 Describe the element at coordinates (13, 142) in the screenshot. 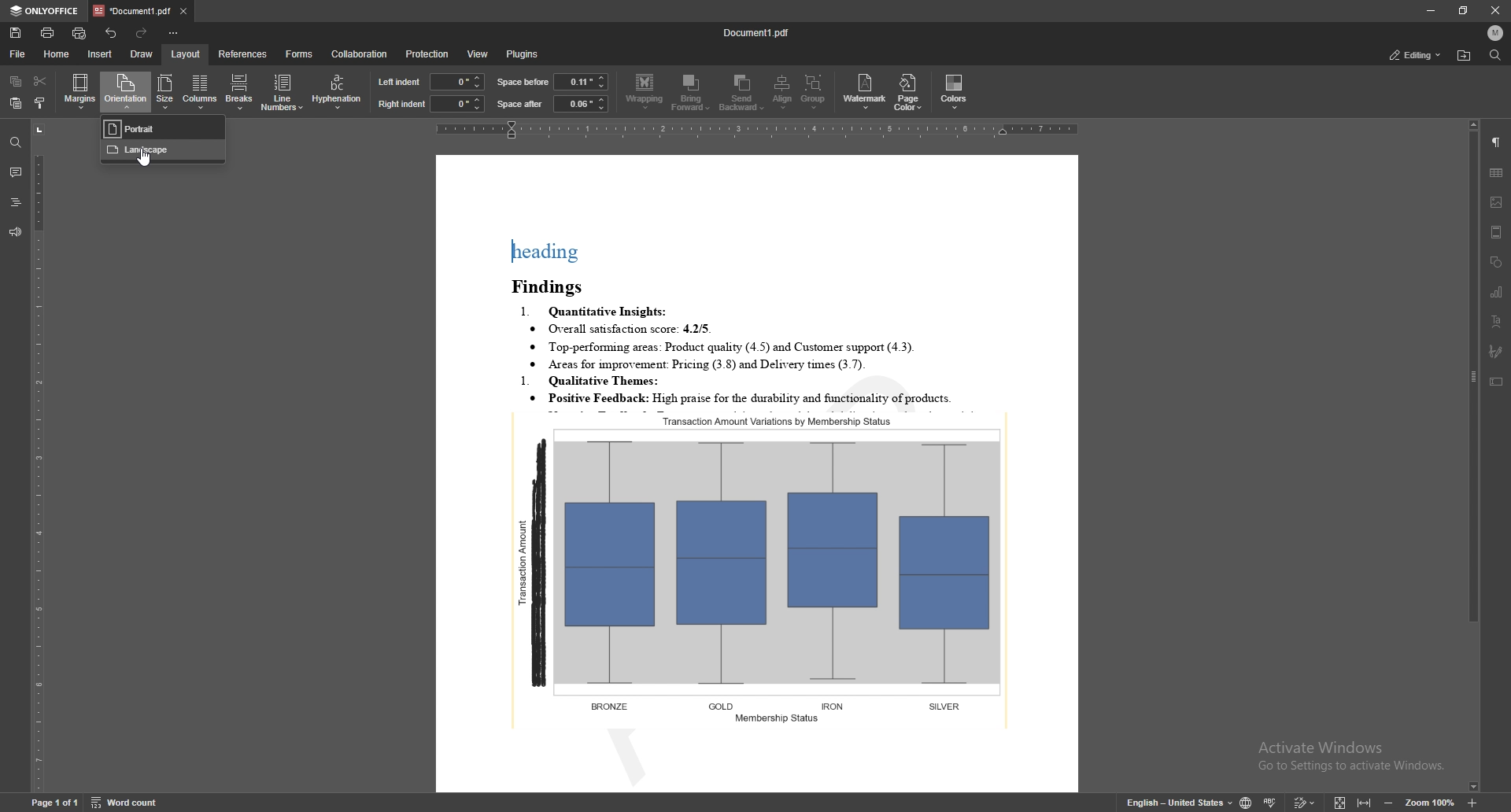

I see `find` at that location.